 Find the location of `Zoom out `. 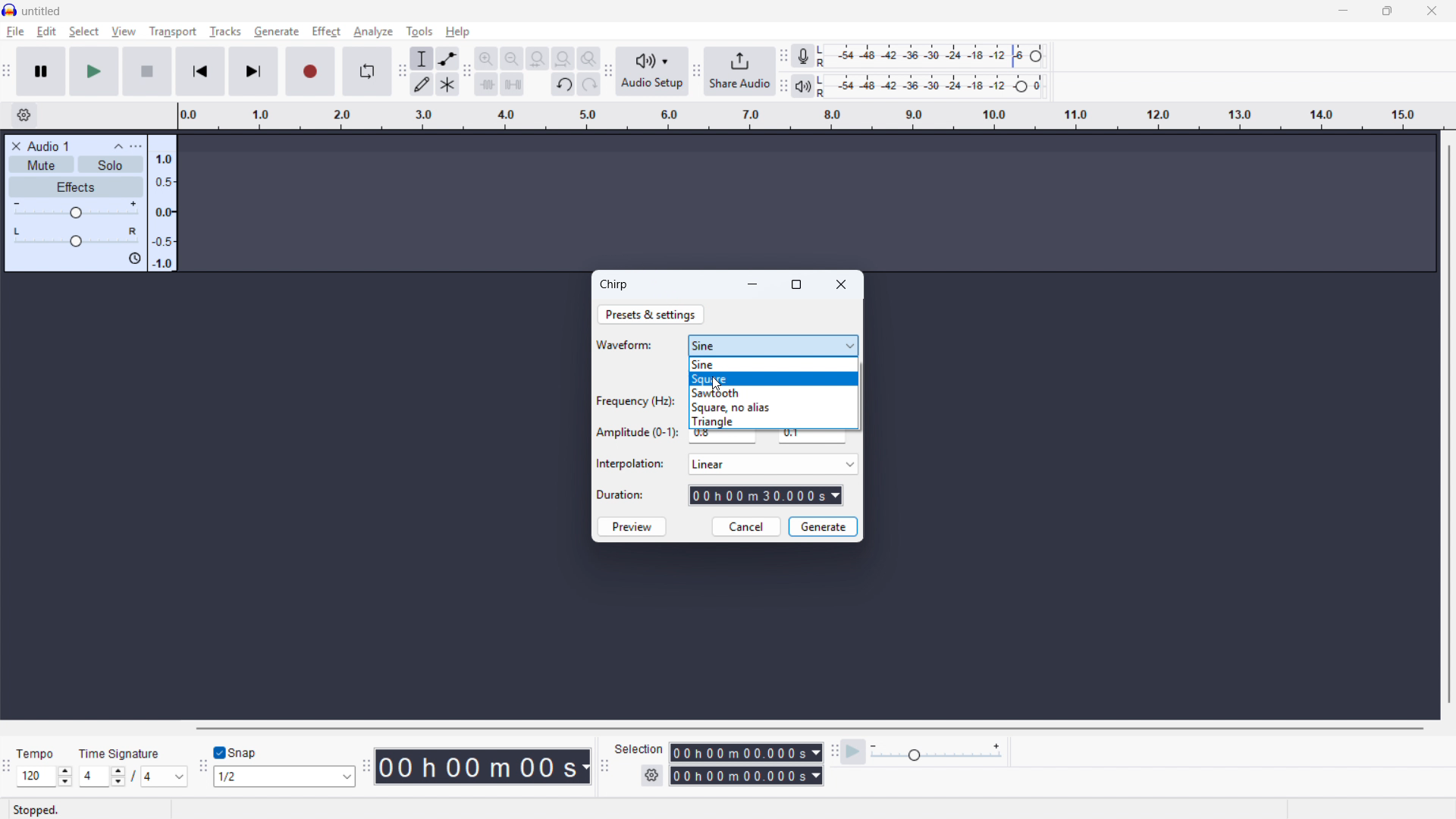

Zoom out  is located at coordinates (512, 58).